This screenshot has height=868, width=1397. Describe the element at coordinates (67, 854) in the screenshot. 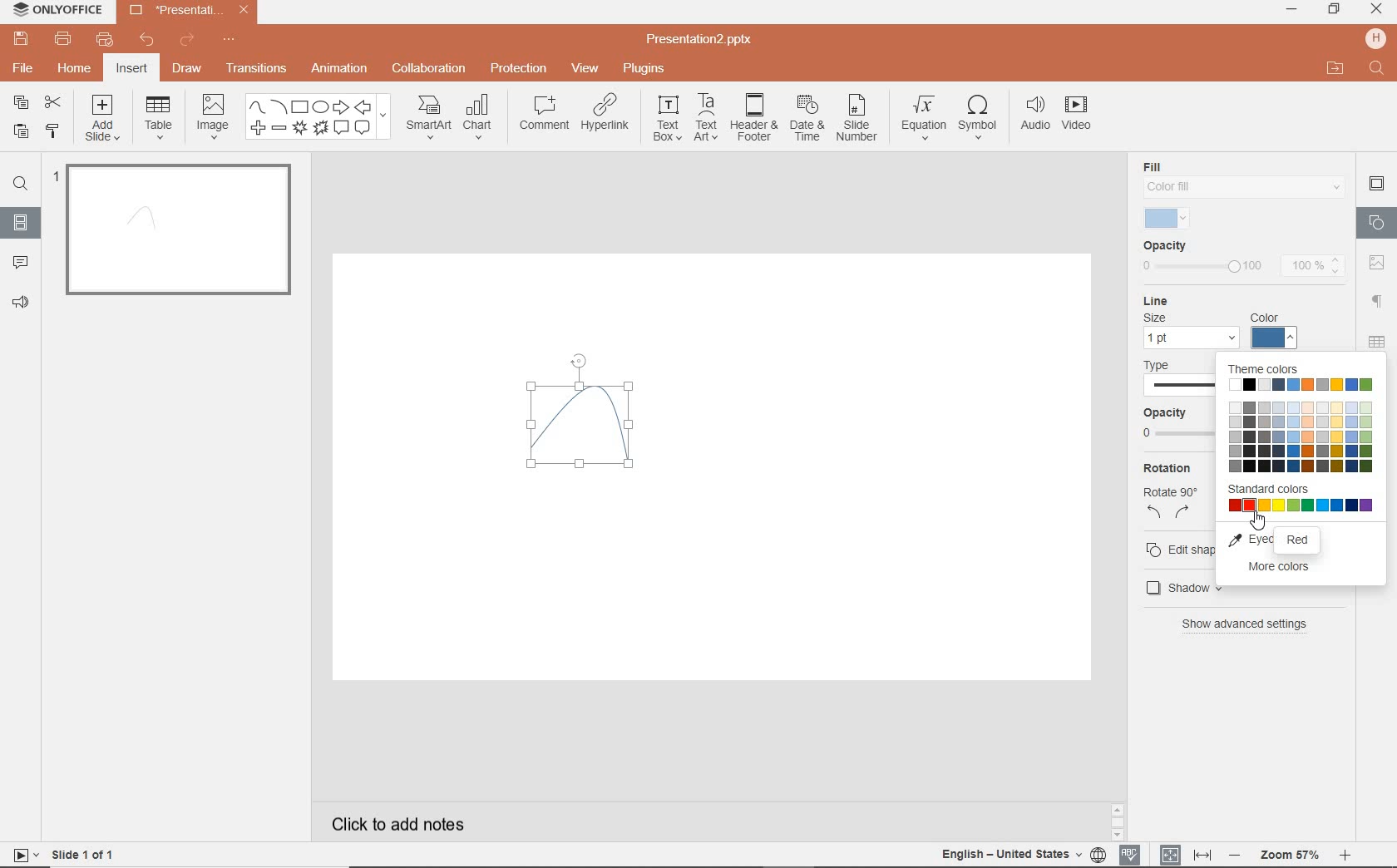

I see `SLIDE 1 OF 1` at that location.